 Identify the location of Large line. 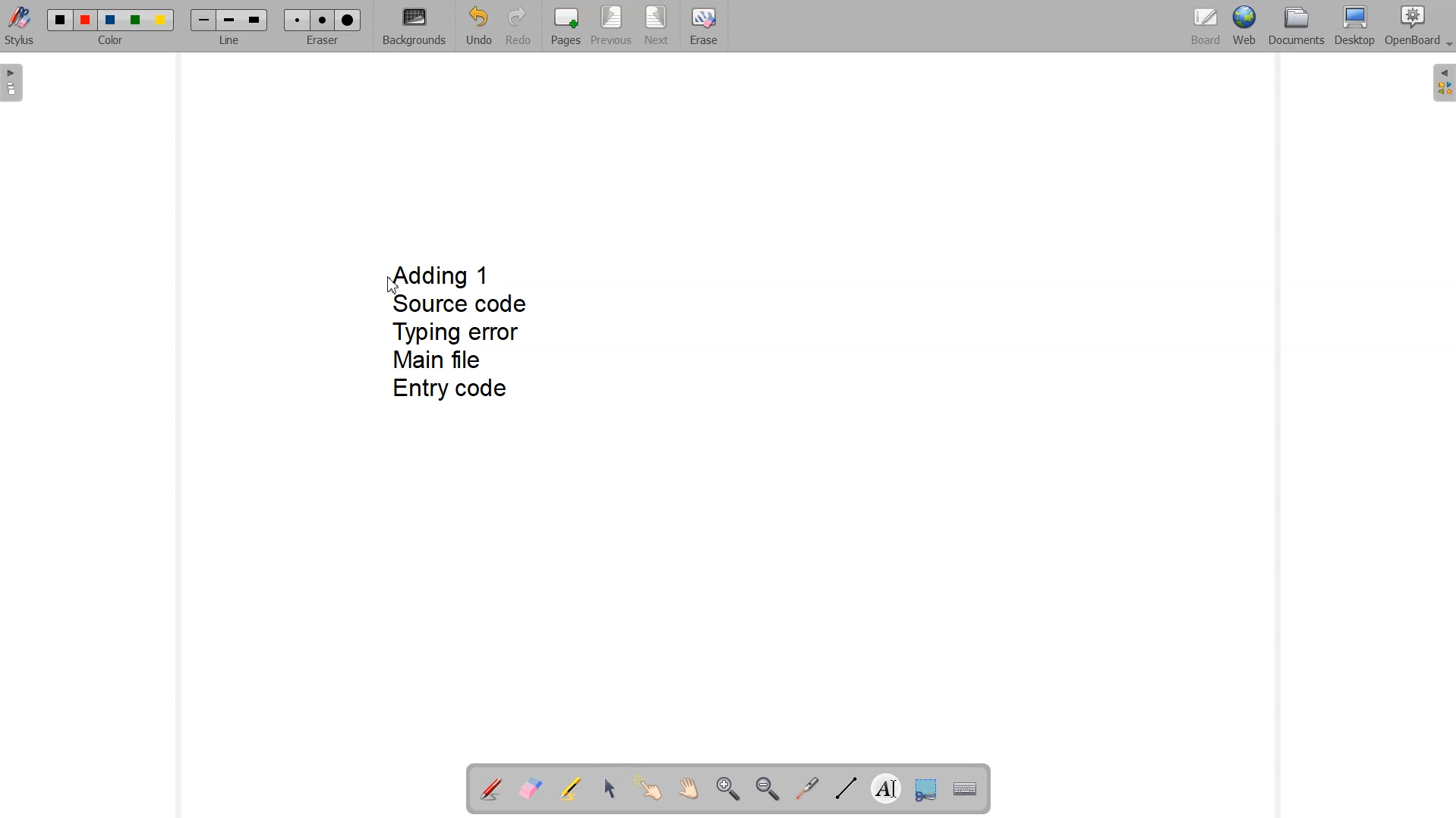
(256, 20).